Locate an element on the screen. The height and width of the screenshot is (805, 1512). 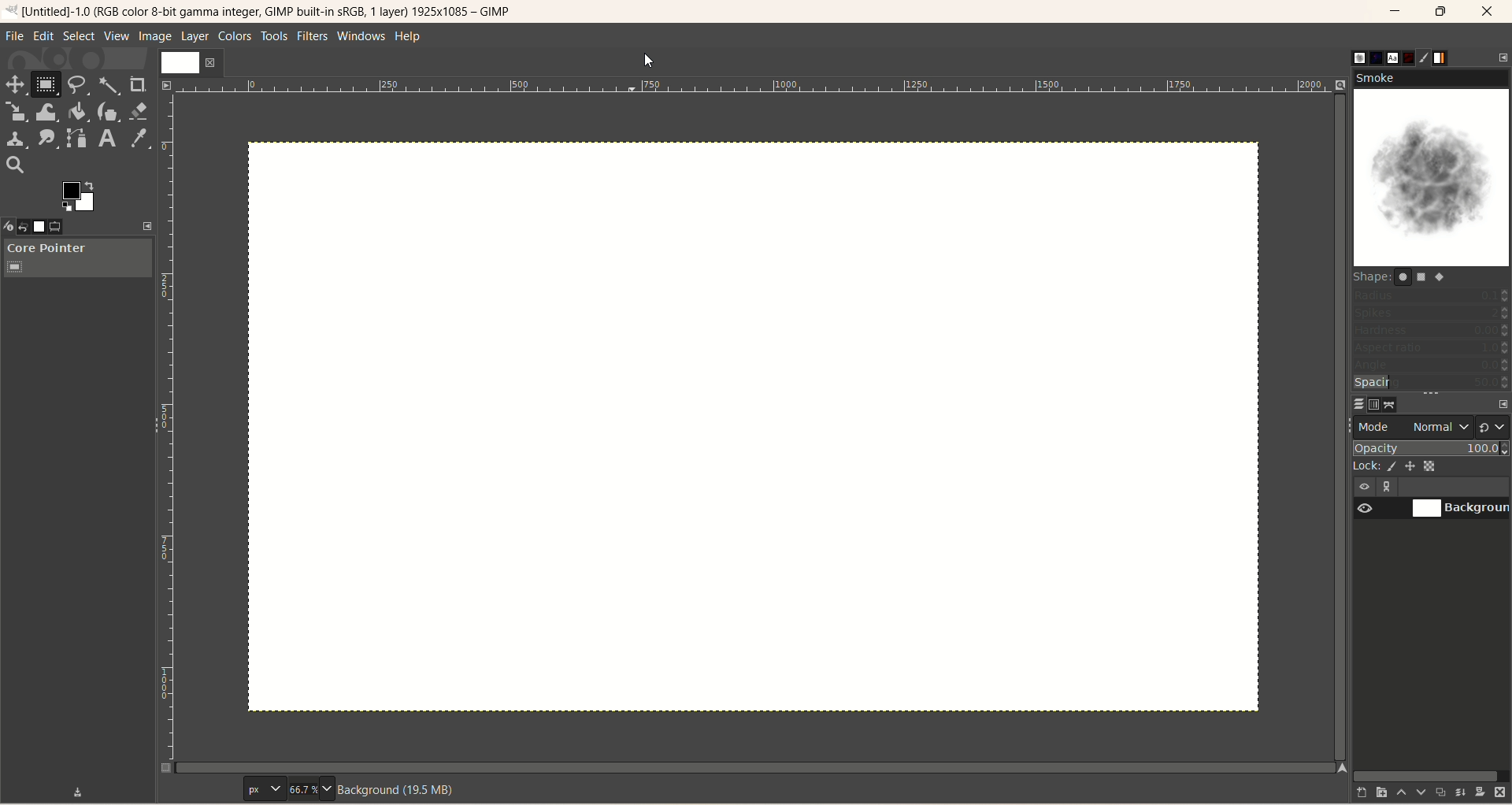
create a new layer with last used values is located at coordinates (1349, 792).